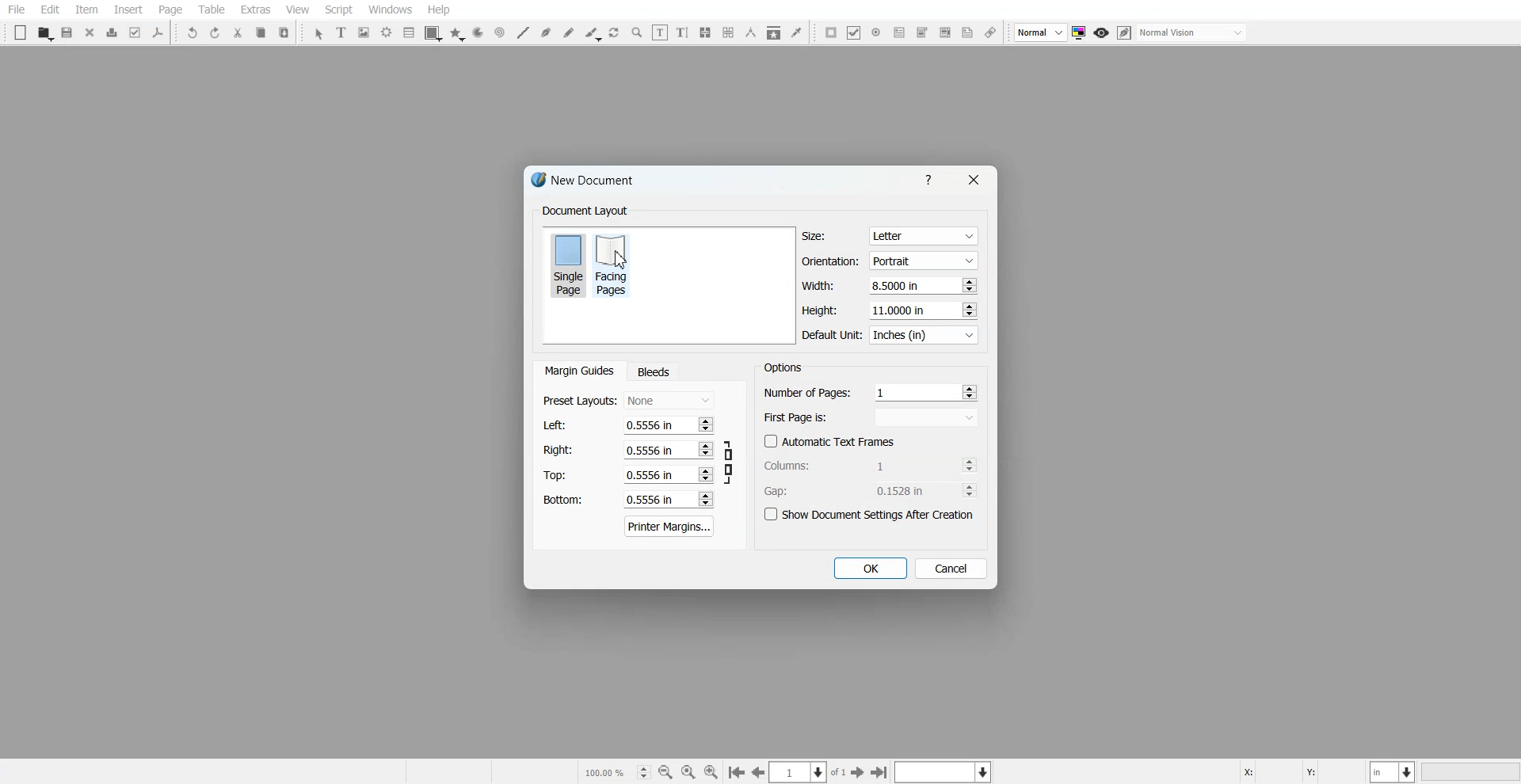 This screenshot has height=784, width=1521. Describe the element at coordinates (339, 10) in the screenshot. I see `Script` at that location.